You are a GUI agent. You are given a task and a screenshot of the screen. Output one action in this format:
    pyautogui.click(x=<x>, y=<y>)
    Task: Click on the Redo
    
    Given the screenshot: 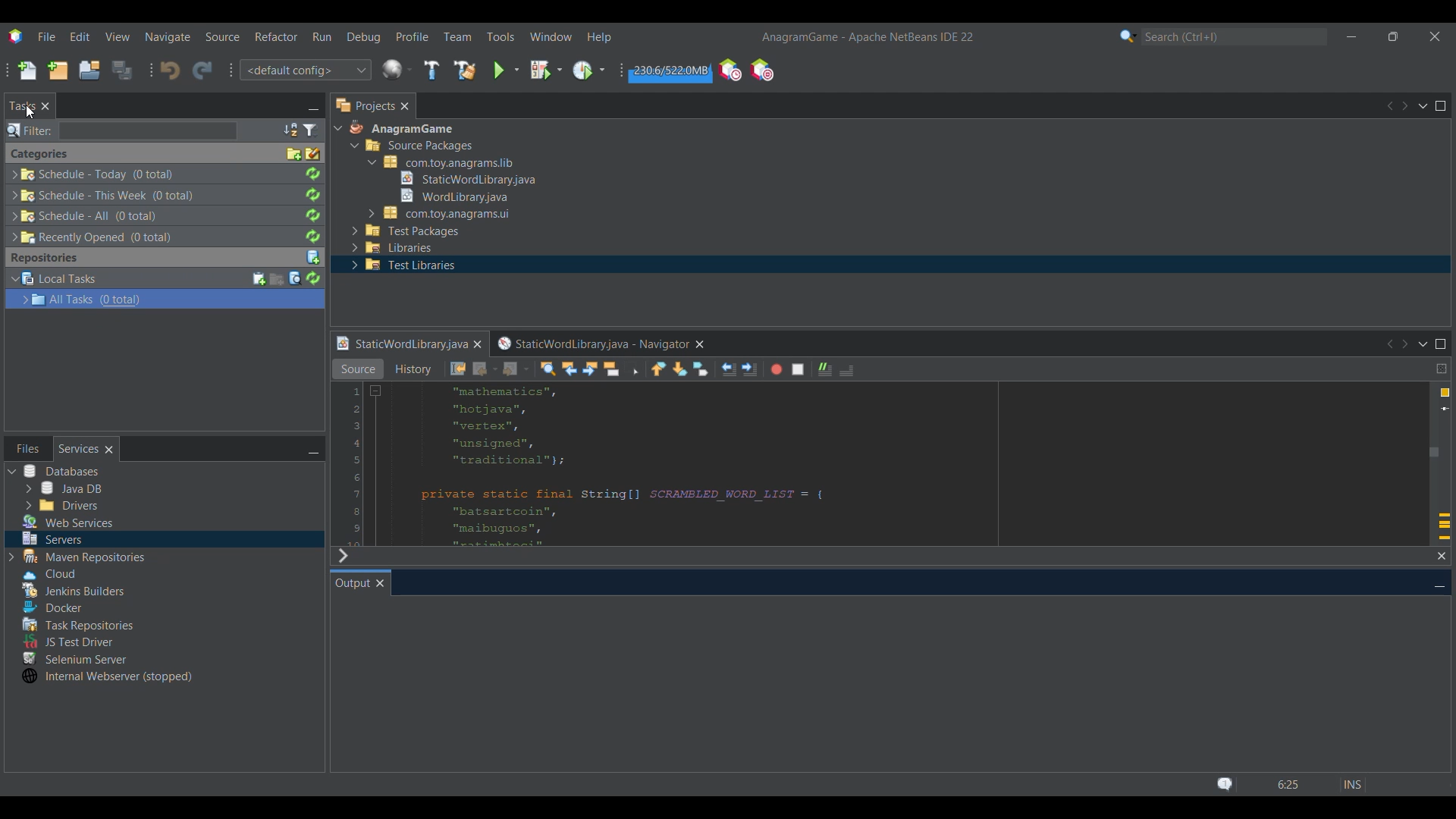 What is the action you would take?
    pyautogui.click(x=202, y=71)
    